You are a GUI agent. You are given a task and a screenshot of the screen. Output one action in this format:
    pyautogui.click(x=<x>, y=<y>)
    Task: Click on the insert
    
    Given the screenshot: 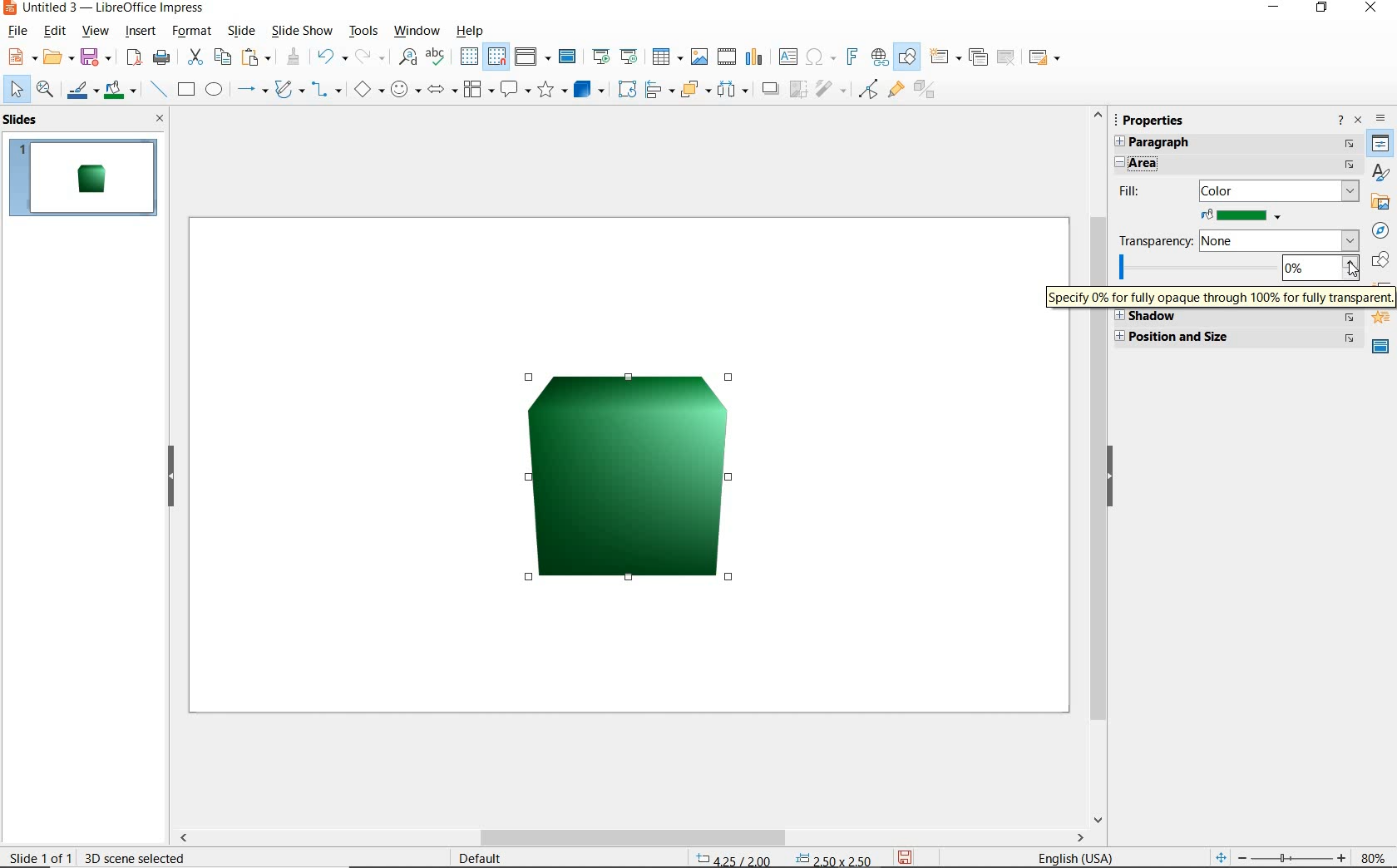 What is the action you would take?
    pyautogui.click(x=141, y=32)
    